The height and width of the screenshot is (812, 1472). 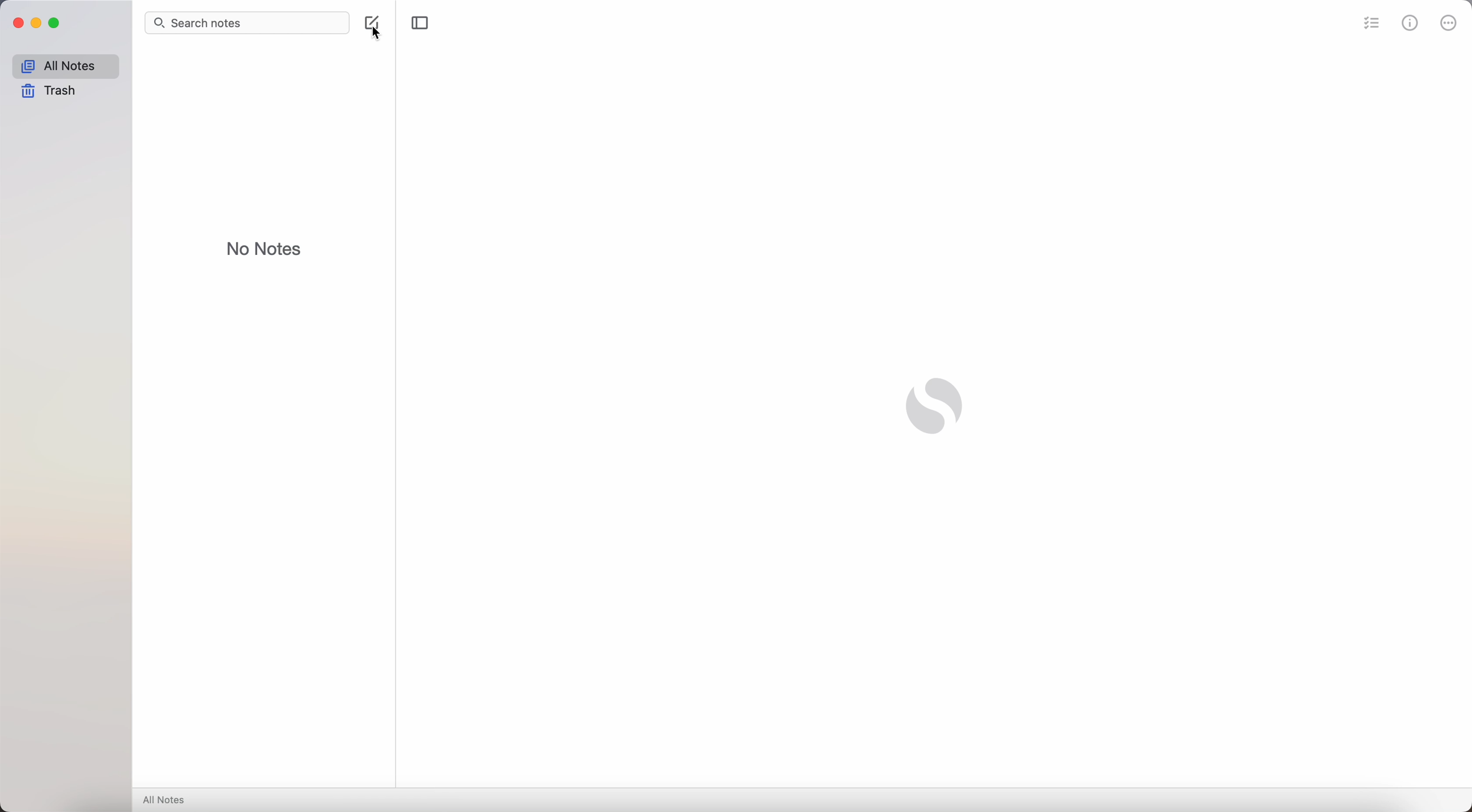 What do you see at coordinates (421, 22) in the screenshot?
I see `toggle sidebar` at bounding box center [421, 22].